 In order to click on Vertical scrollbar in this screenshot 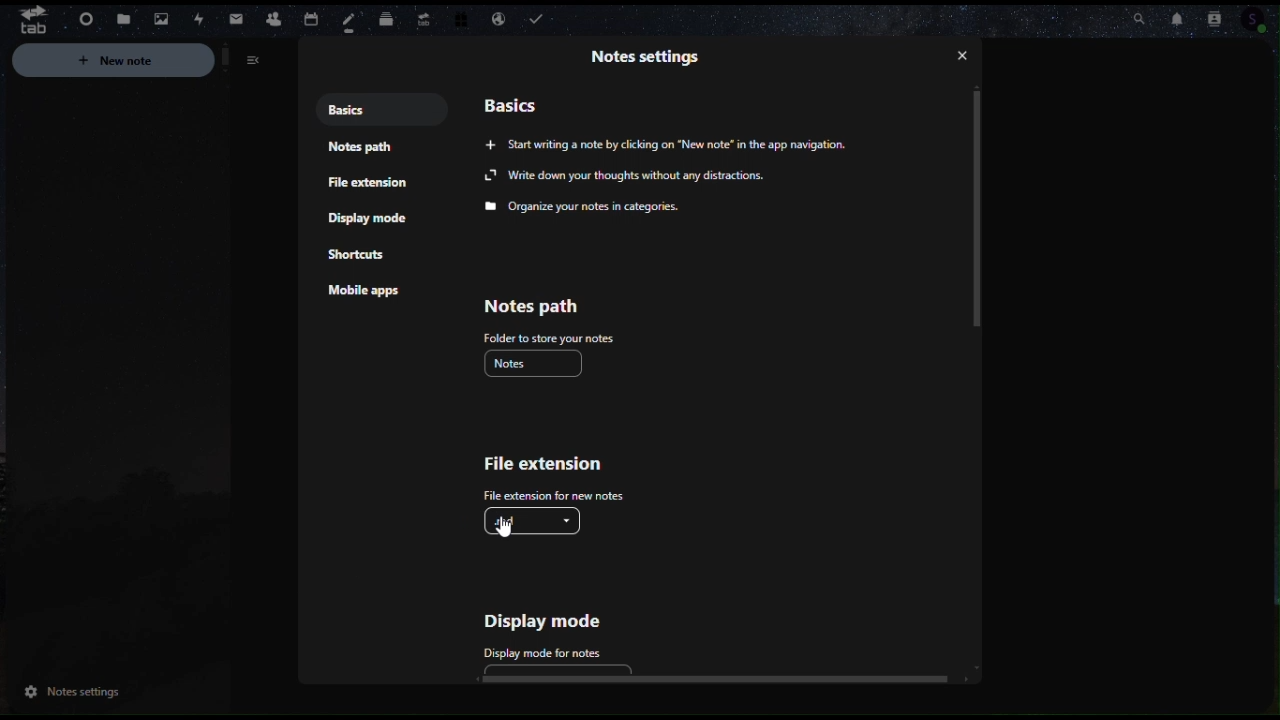, I will do `click(983, 209)`.